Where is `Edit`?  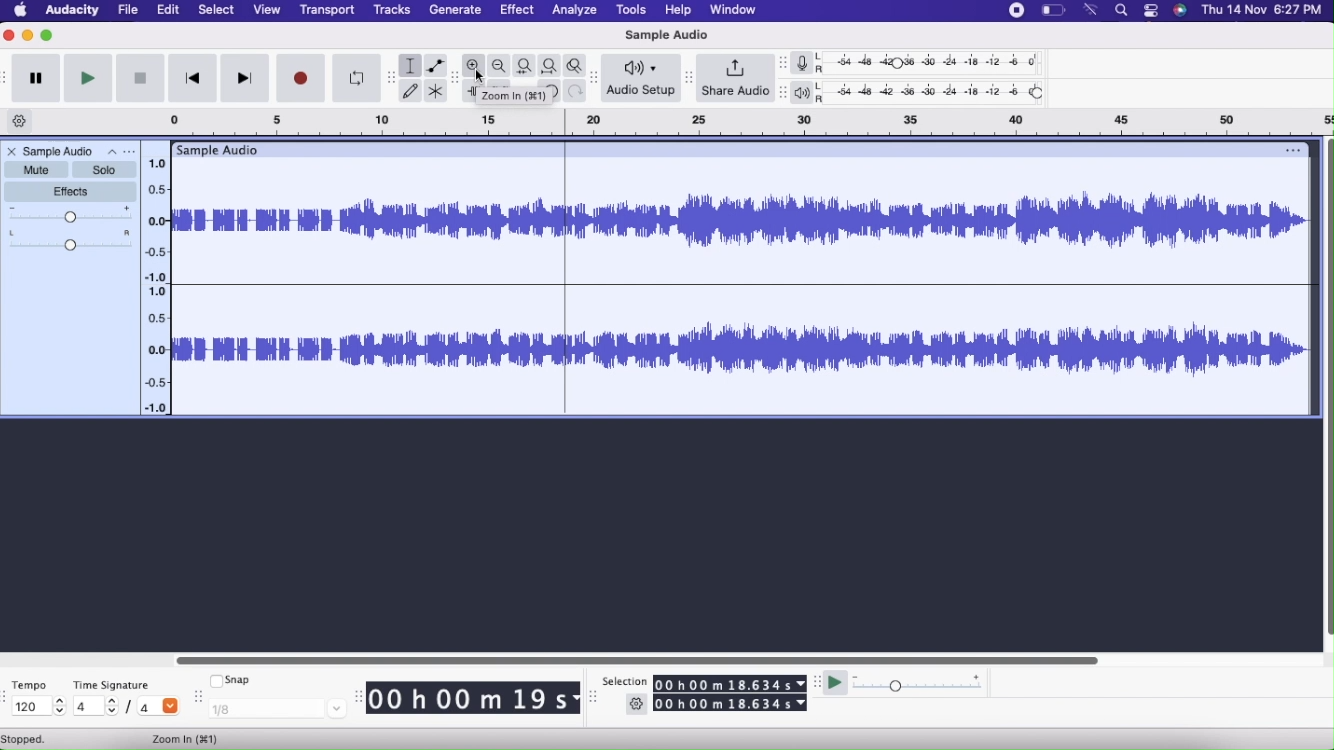 Edit is located at coordinates (170, 10).